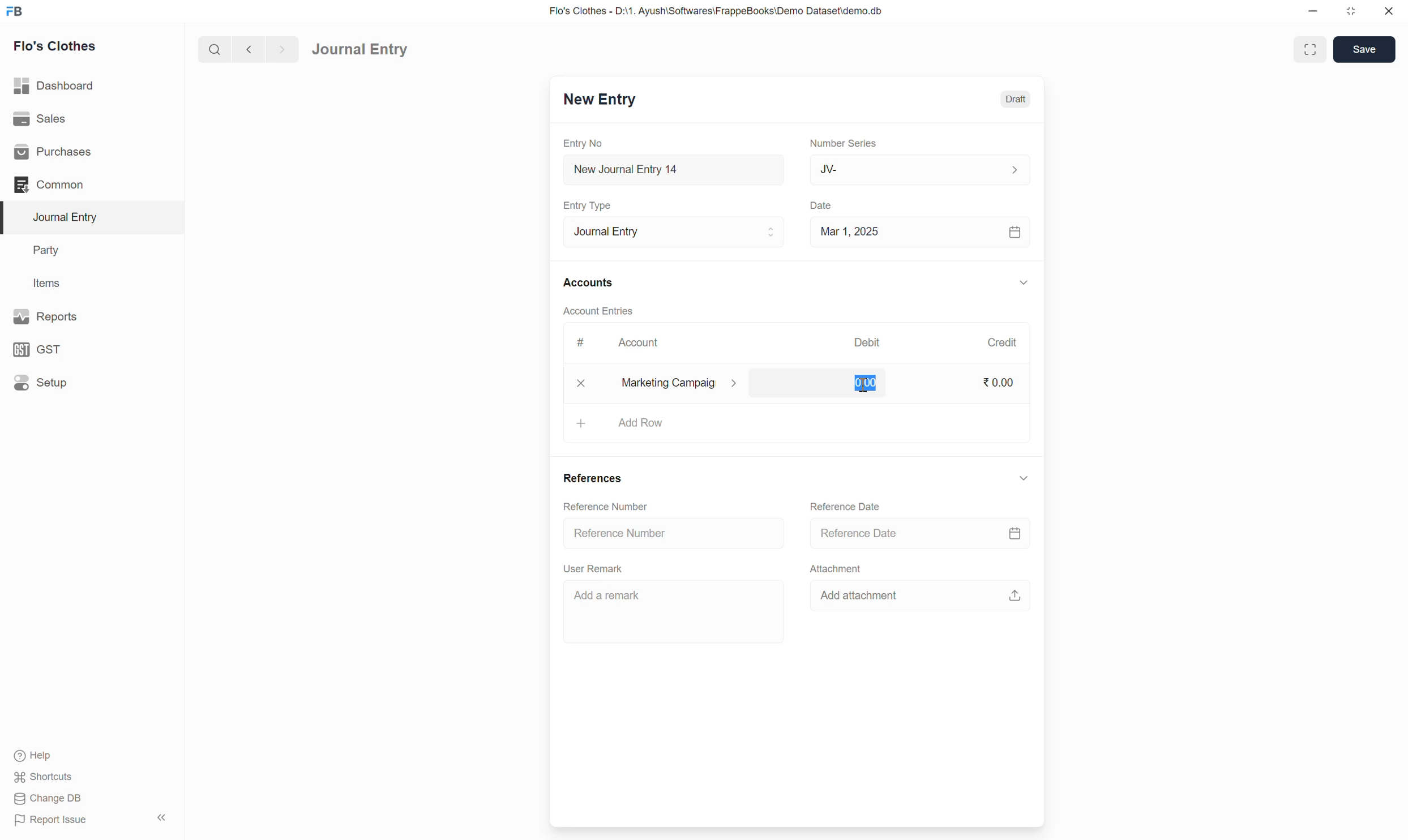 This screenshot has width=1408, height=840. I want to click on FB, so click(15, 11).